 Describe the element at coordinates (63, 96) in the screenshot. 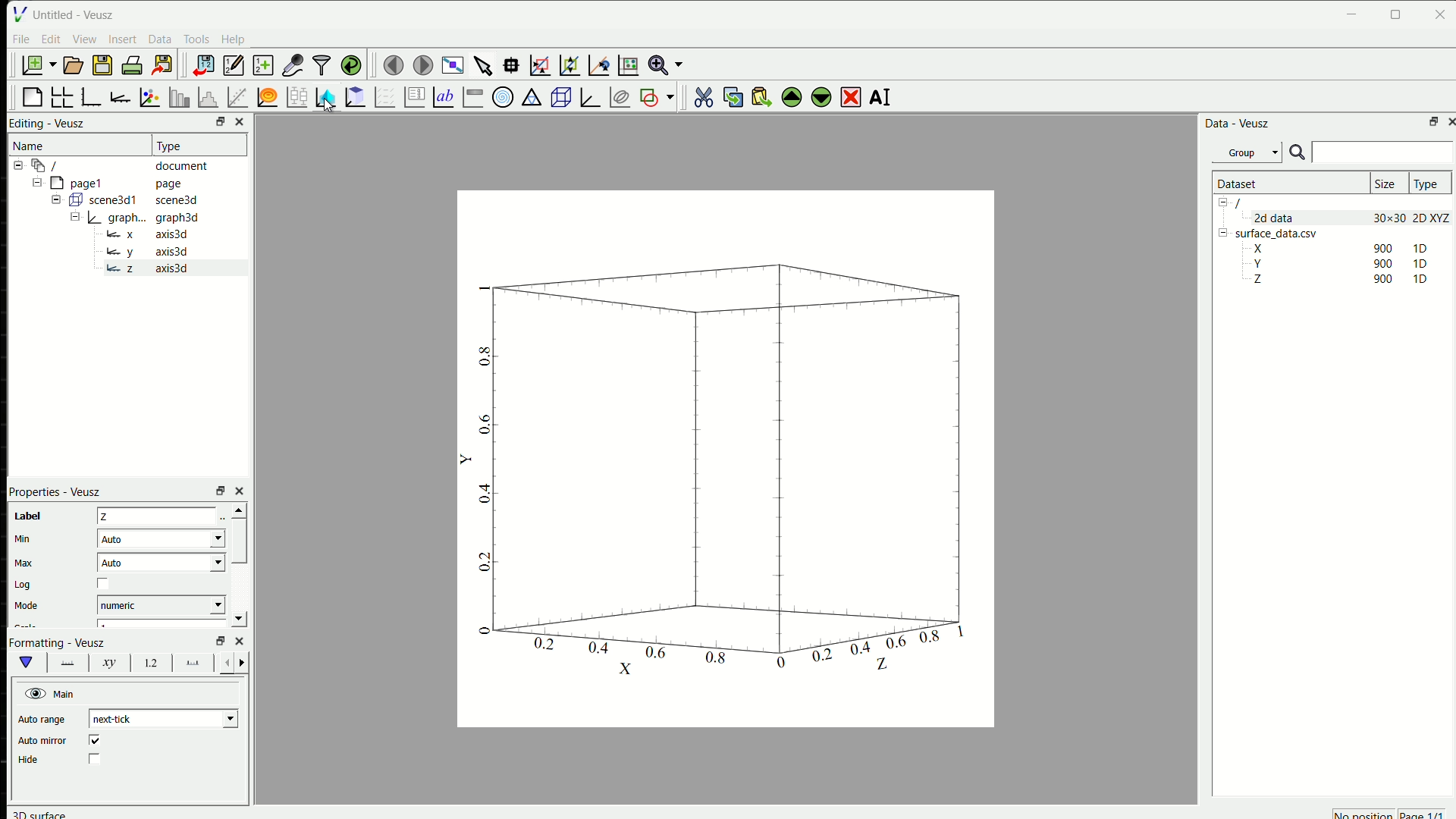

I see `arrange graphs in a grid` at that location.